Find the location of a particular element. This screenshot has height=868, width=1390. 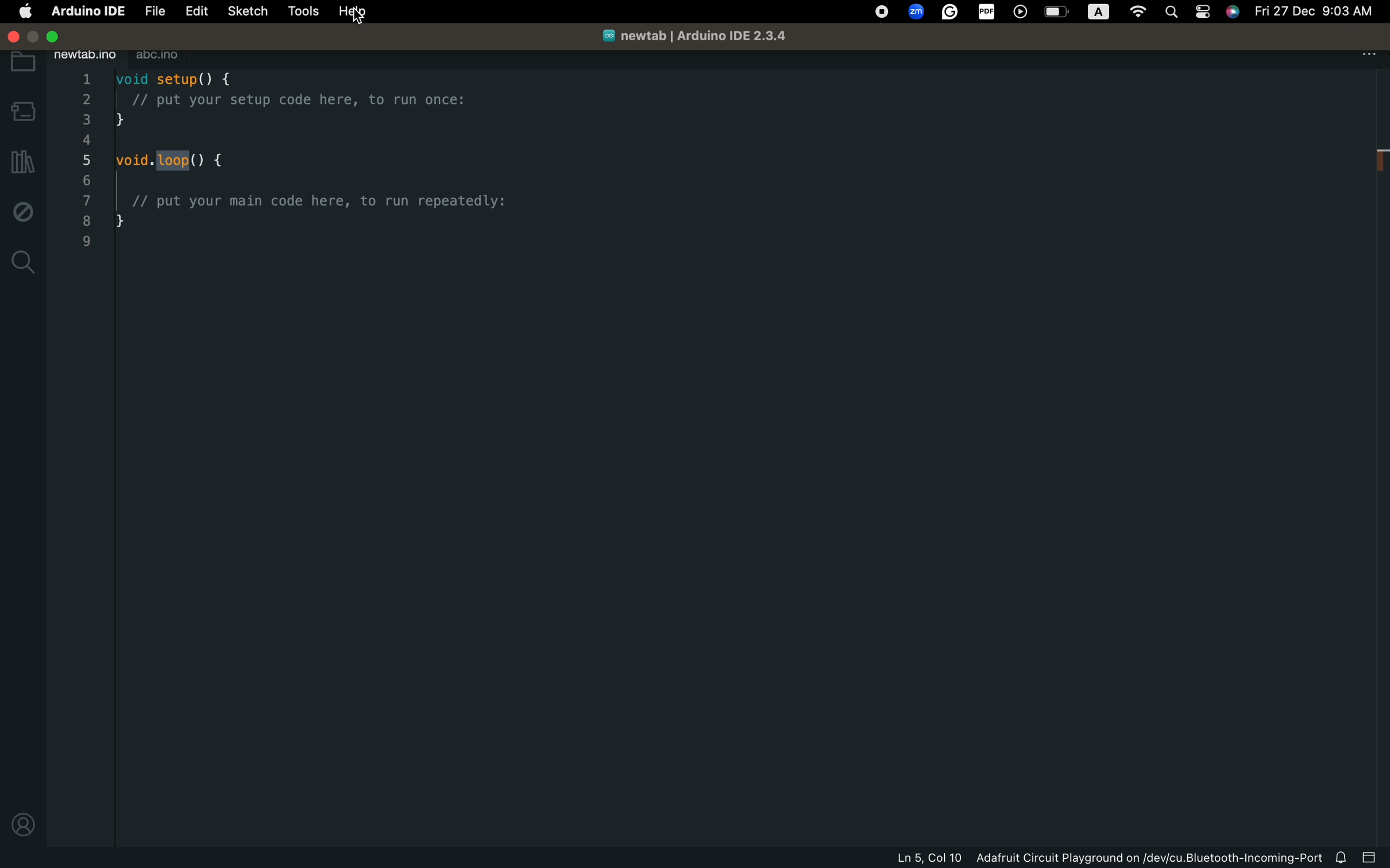

Close is located at coordinates (59, 34).